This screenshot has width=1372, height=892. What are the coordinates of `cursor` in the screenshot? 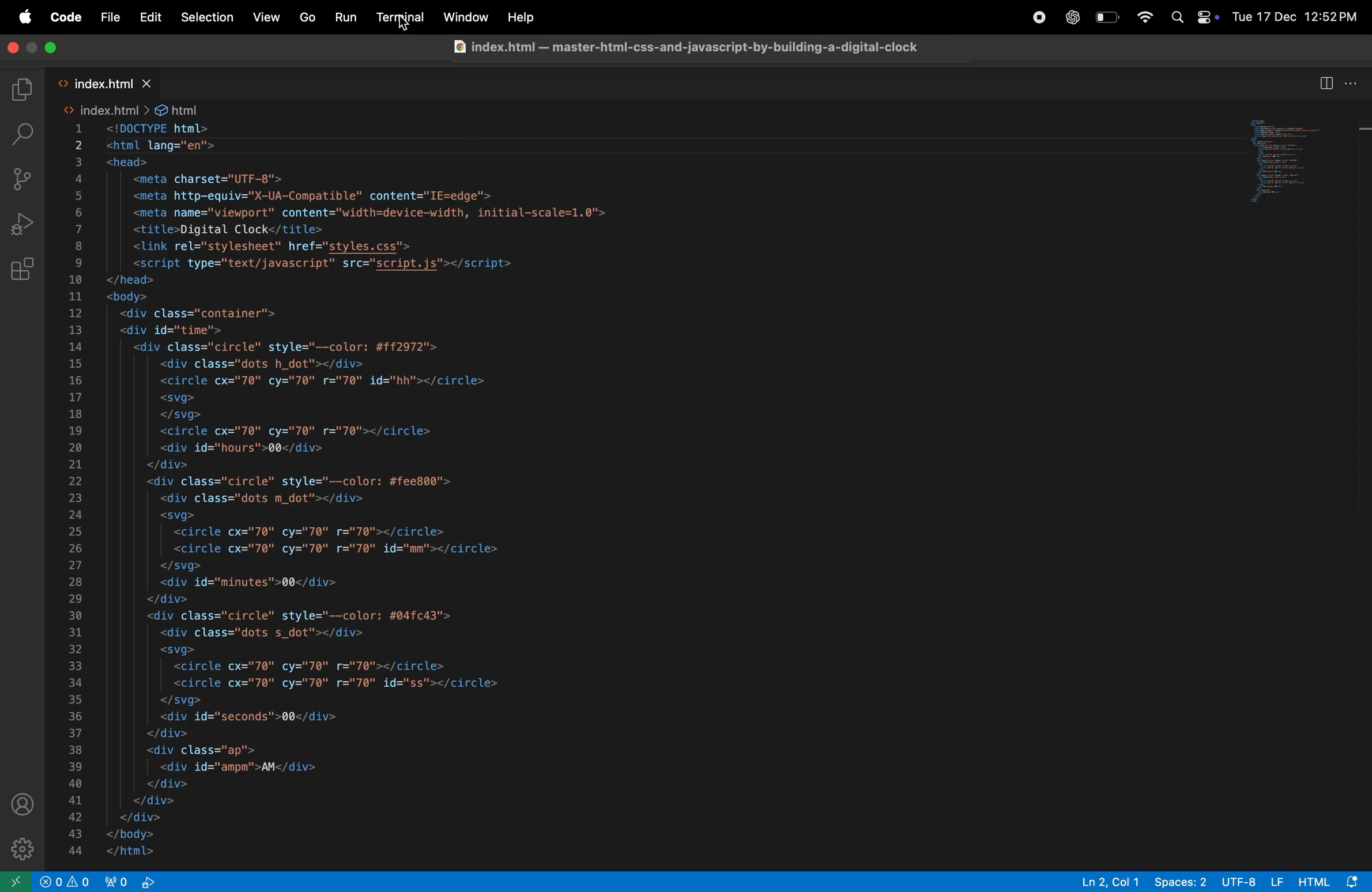 It's located at (401, 24).